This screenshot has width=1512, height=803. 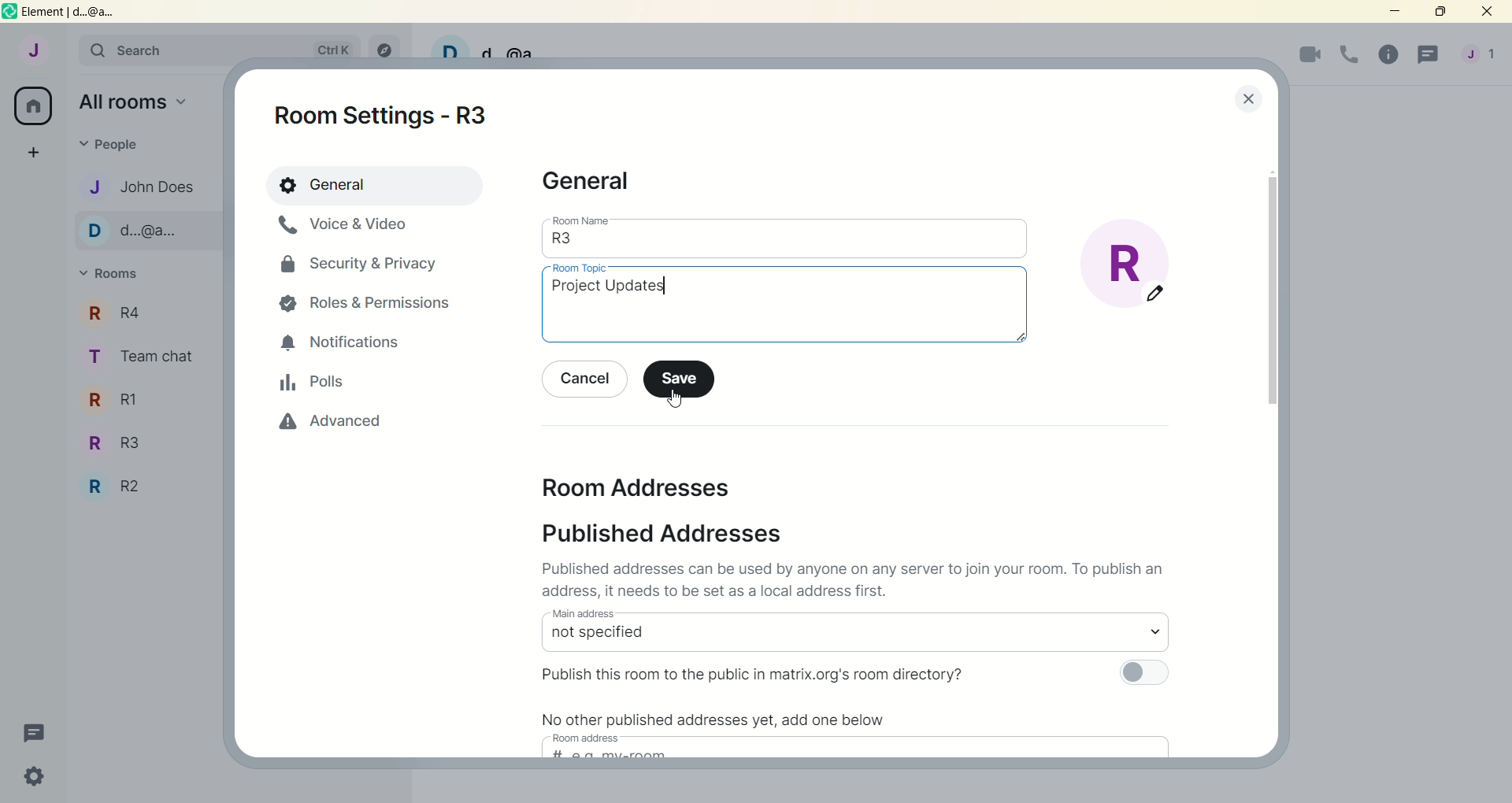 What do you see at coordinates (35, 105) in the screenshot?
I see `all rooms` at bounding box center [35, 105].